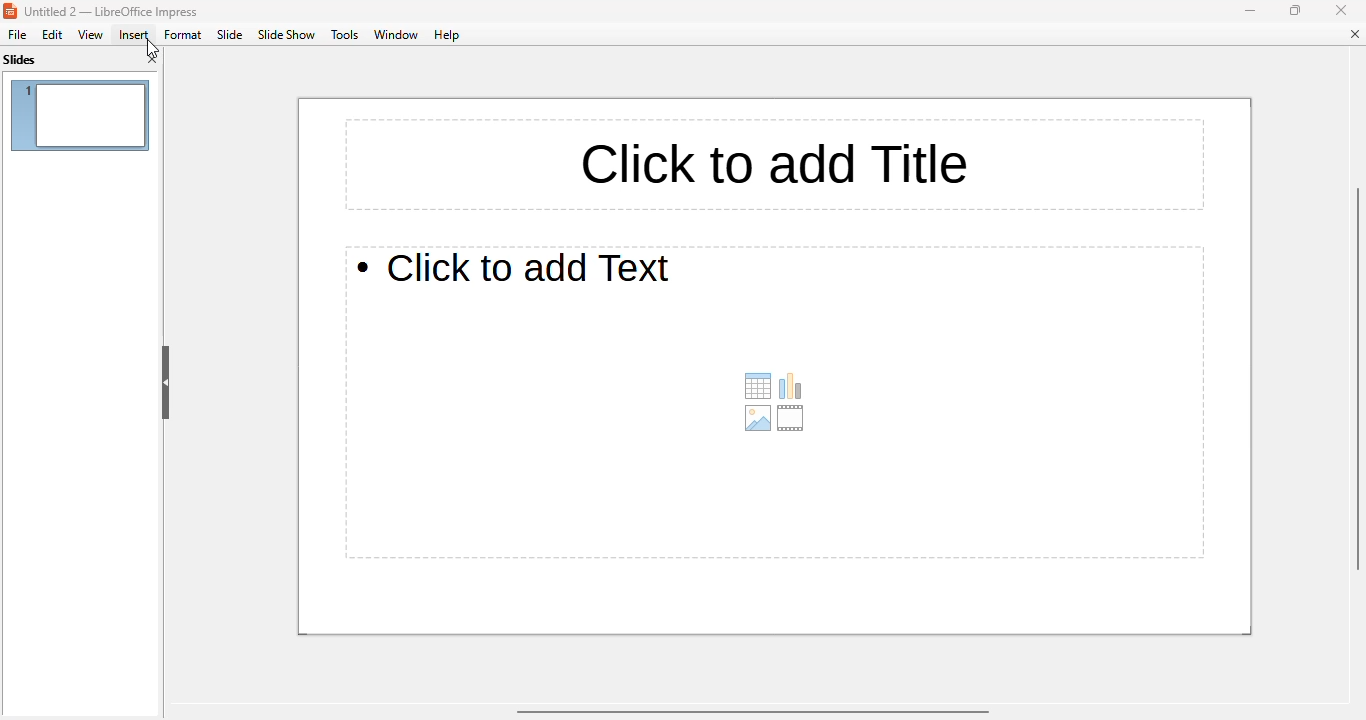  Describe the element at coordinates (152, 48) in the screenshot. I see `cursor` at that location.